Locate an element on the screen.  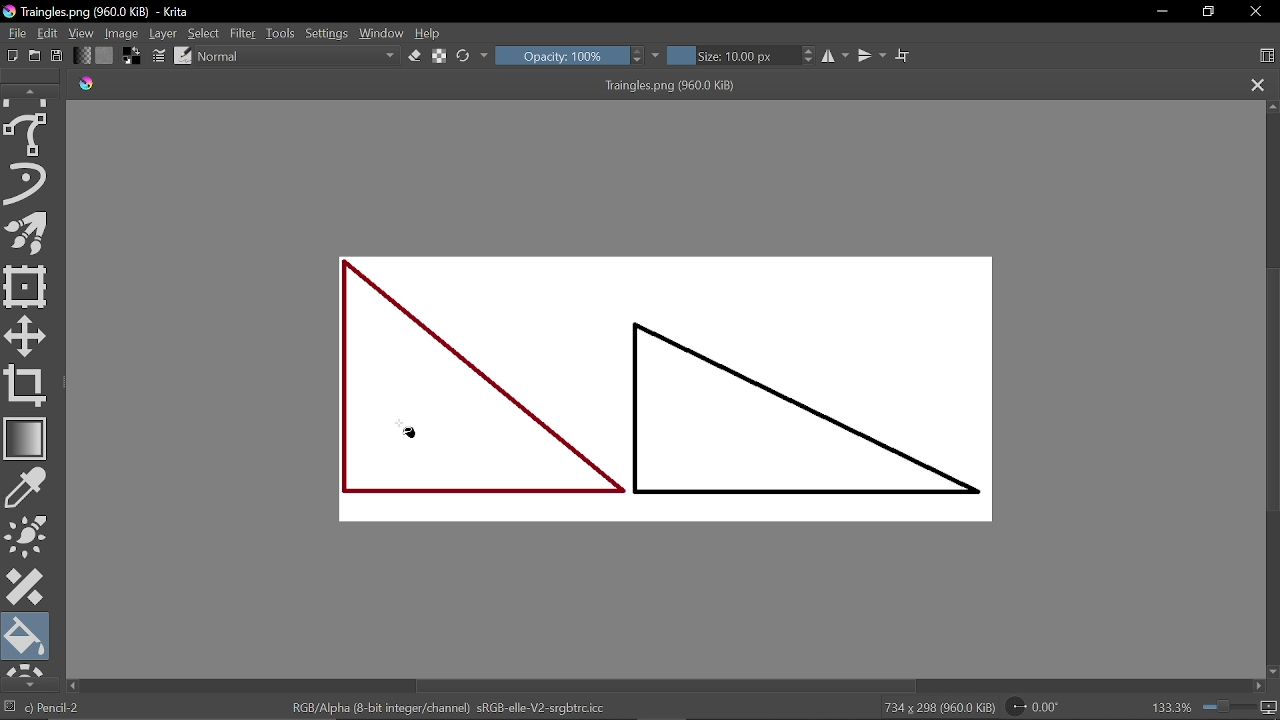
Fill pattern is located at coordinates (105, 55).